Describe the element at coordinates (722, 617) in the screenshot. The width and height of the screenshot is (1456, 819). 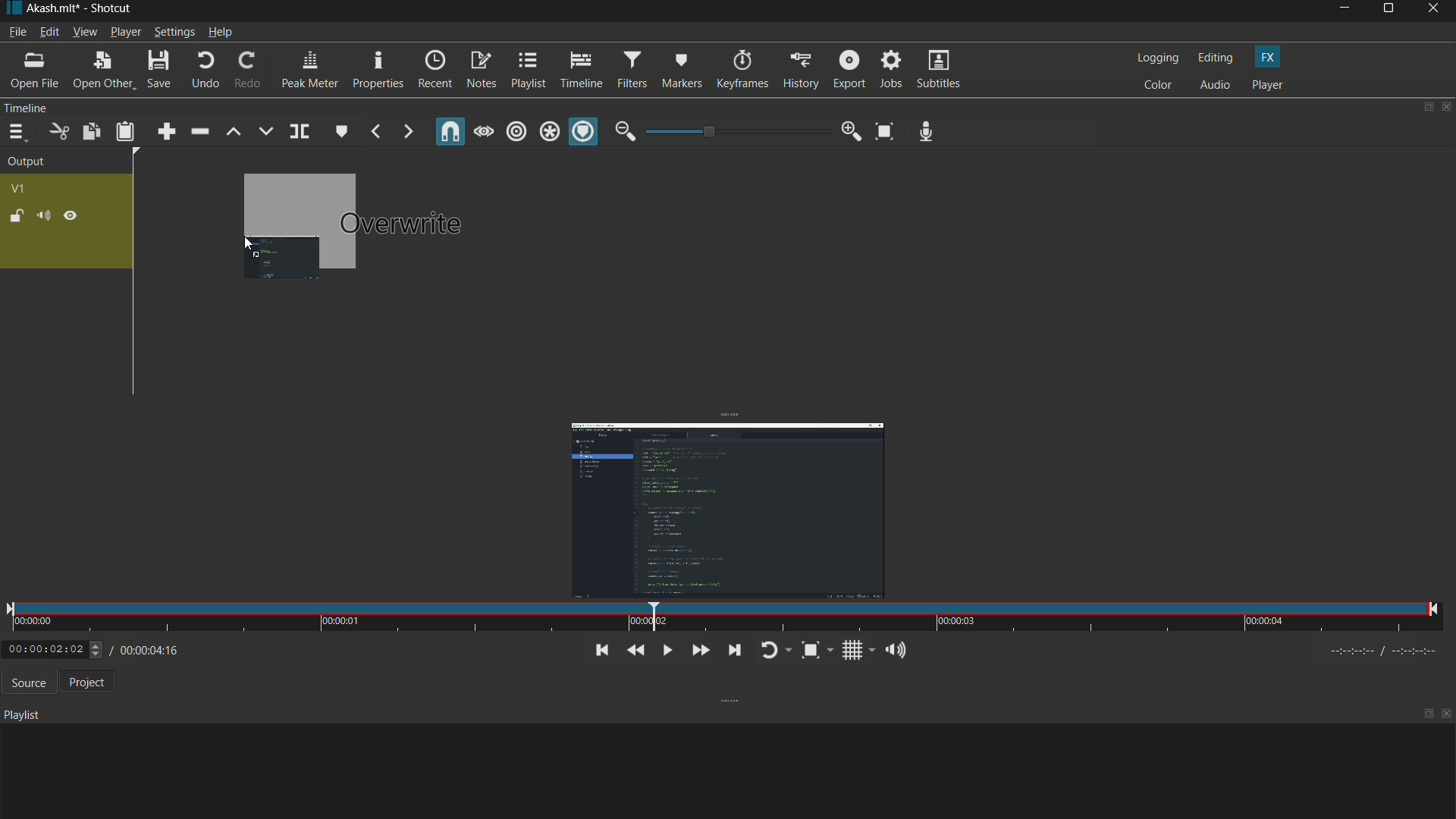
I see `time` at that location.